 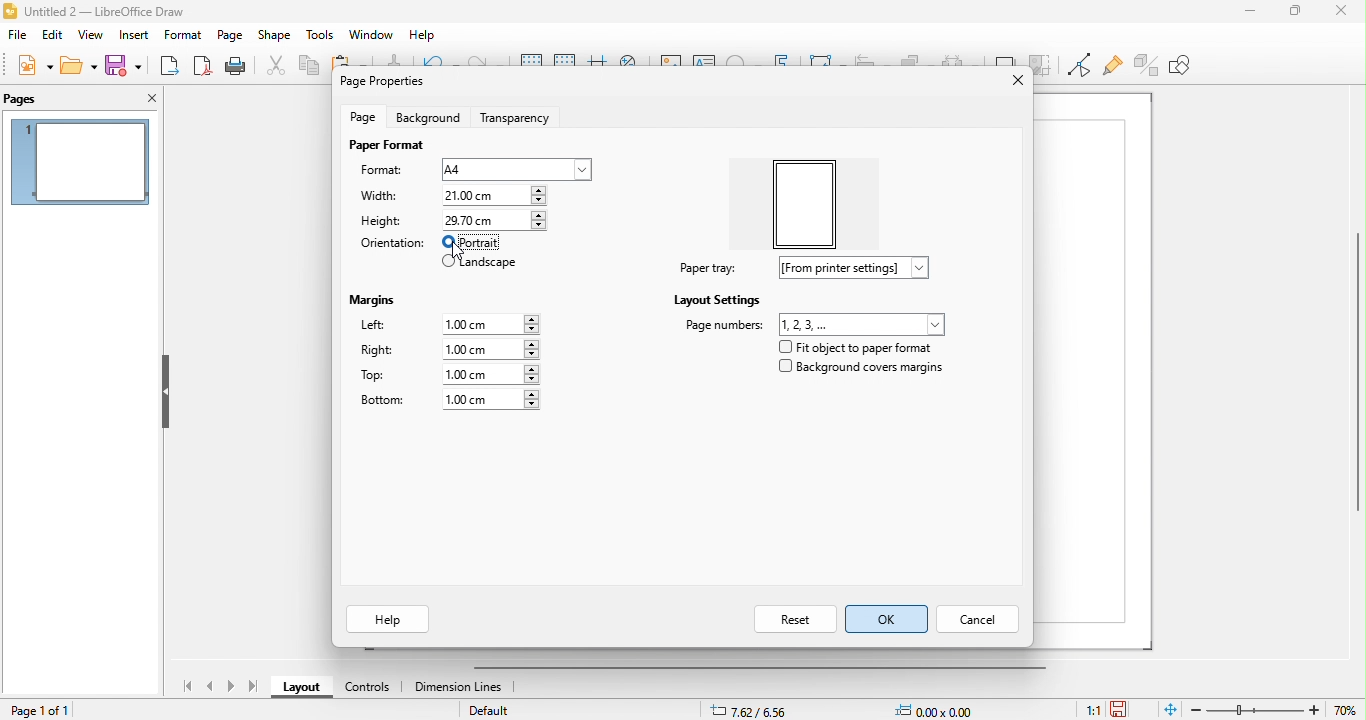 I want to click on background covers and margins, so click(x=863, y=370).